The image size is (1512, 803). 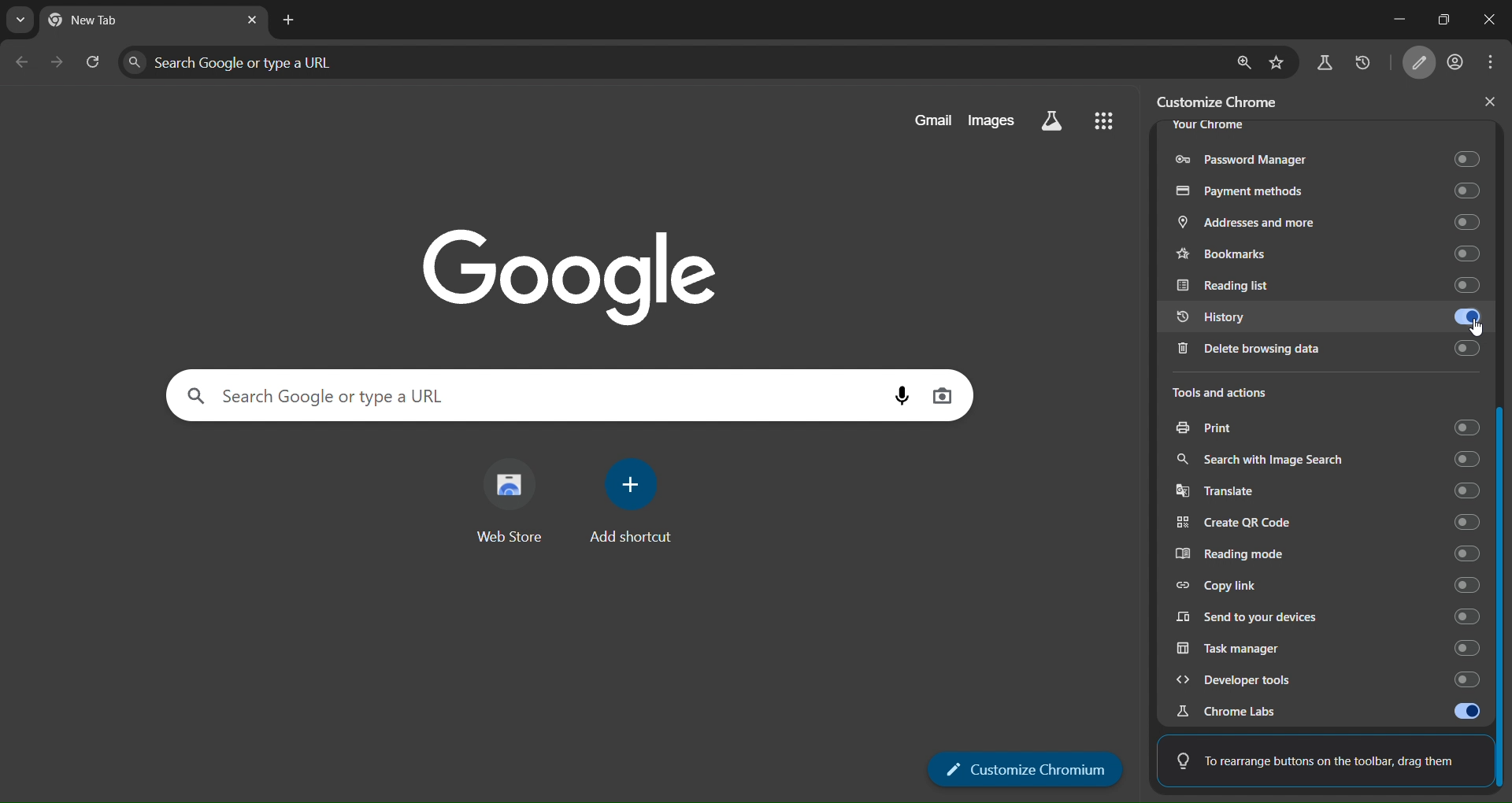 What do you see at coordinates (1225, 101) in the screenshot?
I see `customize chromium` at bounding box center [1225, 101].